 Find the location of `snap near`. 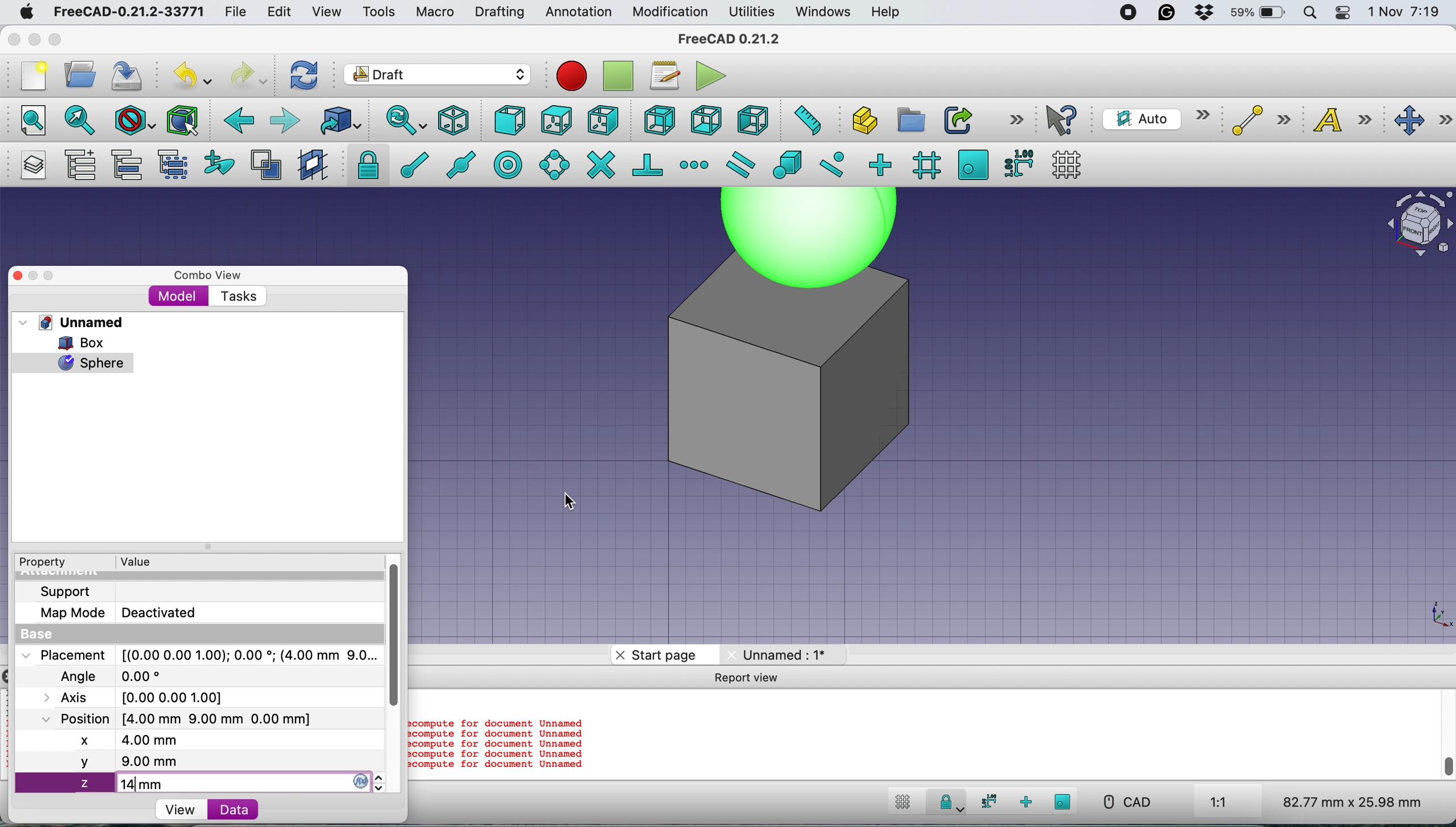

snap near is located at coordinates (832, 163).